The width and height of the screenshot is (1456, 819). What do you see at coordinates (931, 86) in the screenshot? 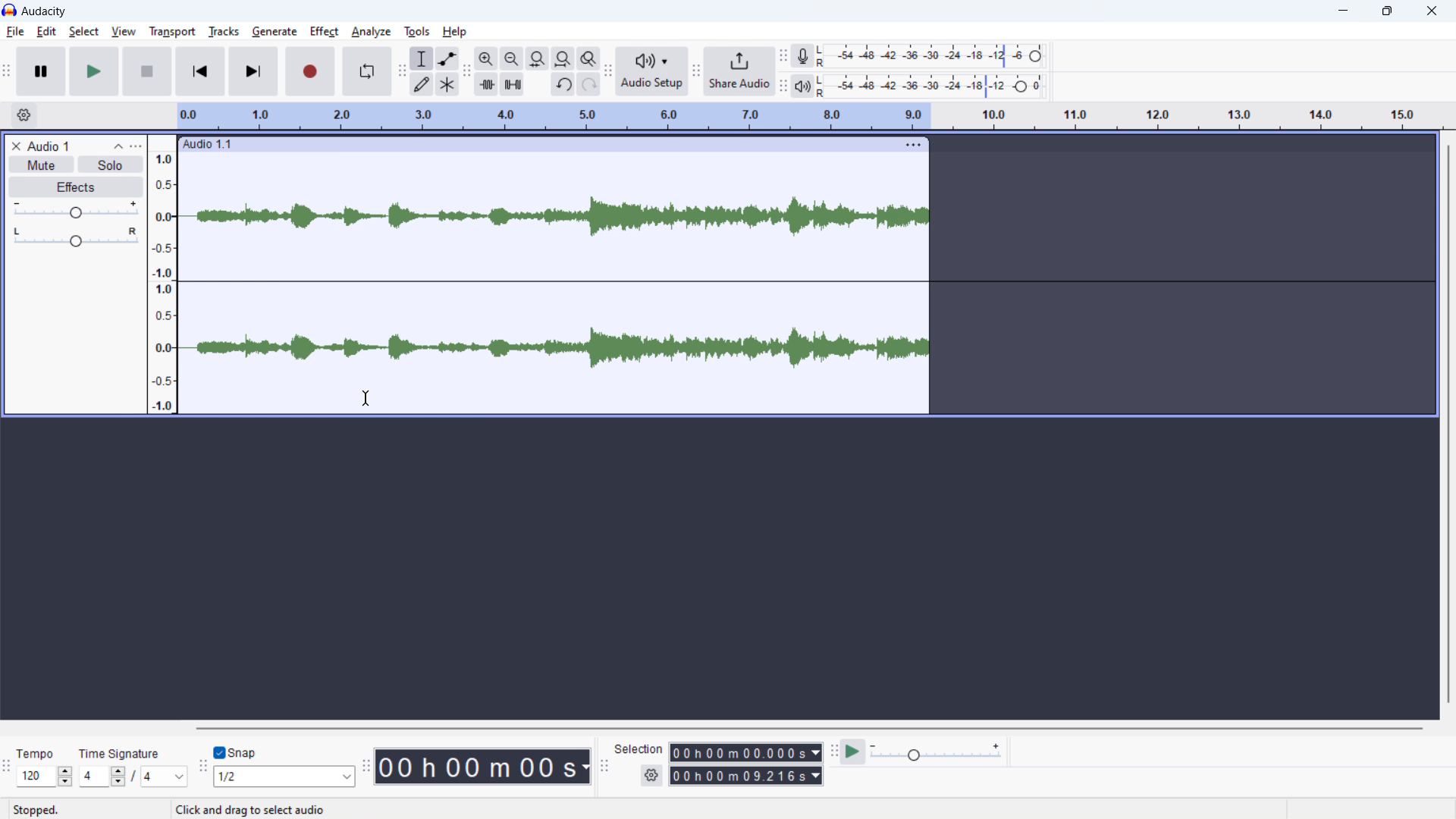
I see `playback level` at bounding box center [931, 86].